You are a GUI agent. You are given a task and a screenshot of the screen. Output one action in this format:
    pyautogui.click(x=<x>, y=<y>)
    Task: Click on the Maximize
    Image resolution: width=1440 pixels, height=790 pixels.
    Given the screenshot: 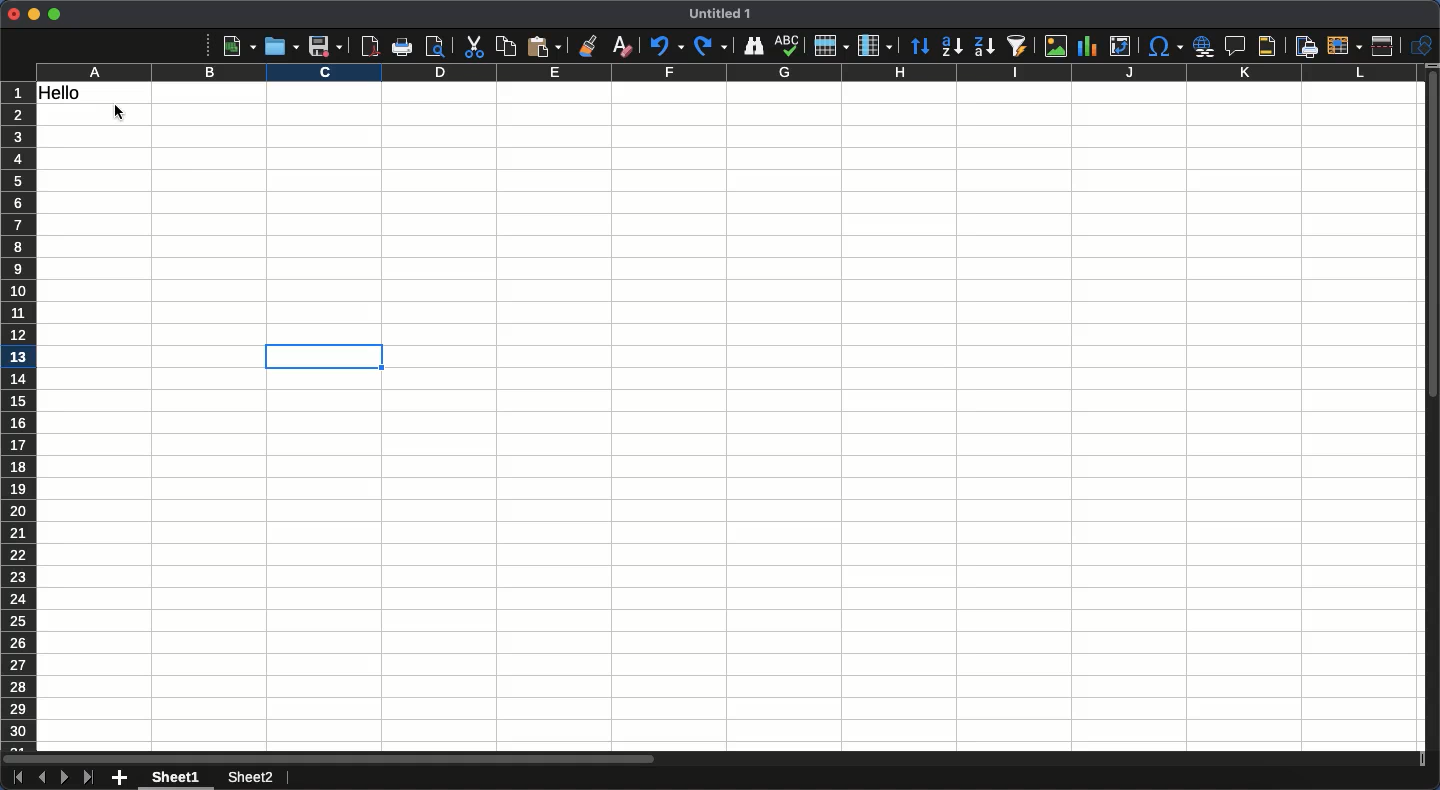 What is the action you would take?
    pyautogui.click(x=54, y=14)
    